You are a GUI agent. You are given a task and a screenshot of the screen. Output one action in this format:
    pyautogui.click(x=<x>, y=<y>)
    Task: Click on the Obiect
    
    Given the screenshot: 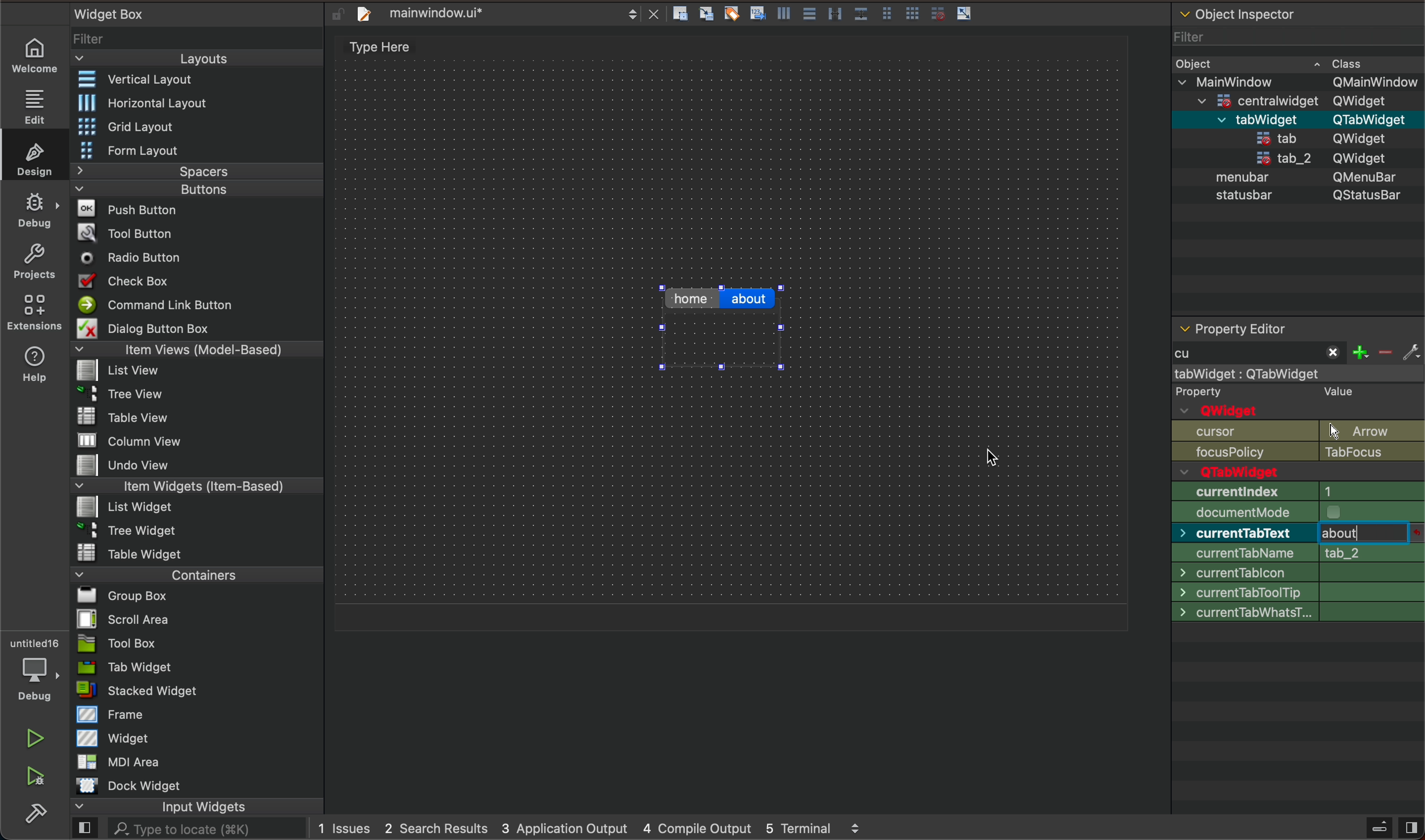 What is the action you would take?
    pyautogui.click(x=1194, y=61)
    